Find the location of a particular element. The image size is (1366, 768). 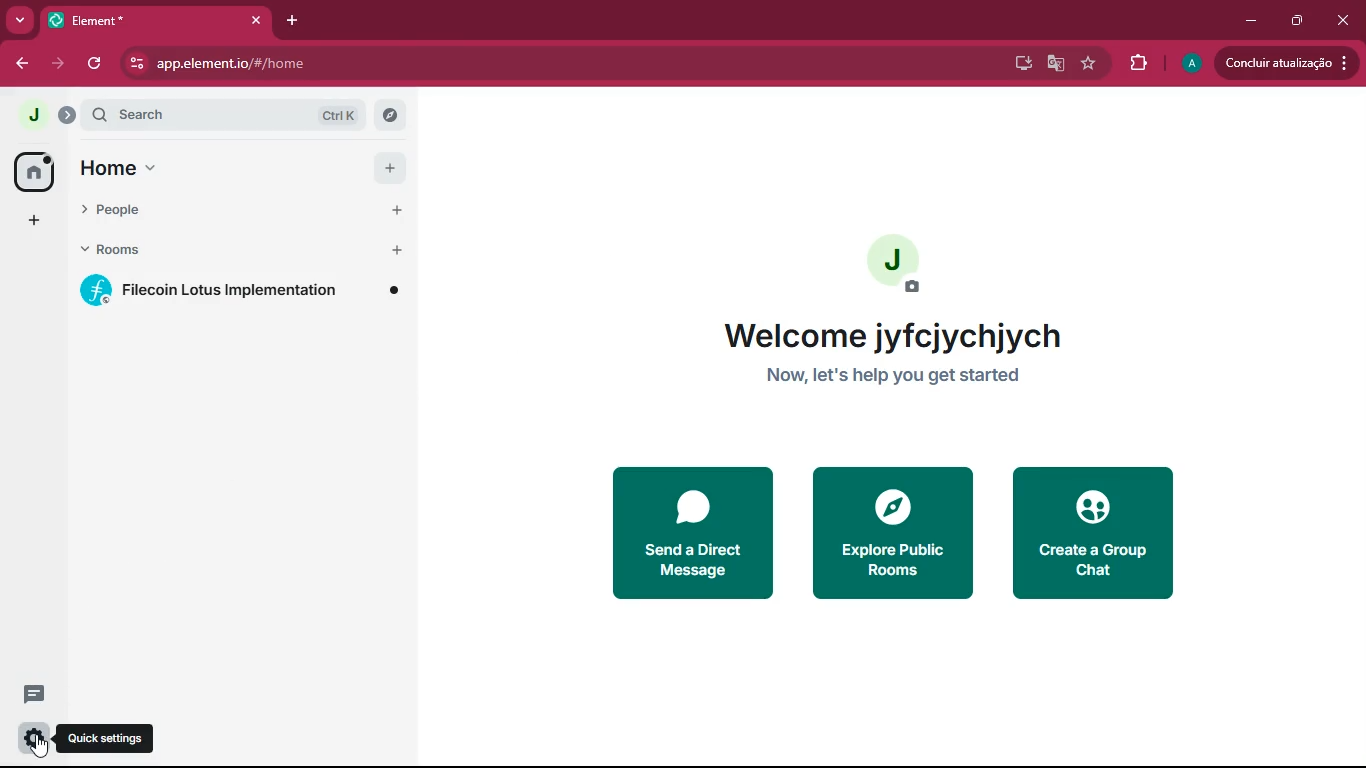

add is located at coordinates (389, 168).